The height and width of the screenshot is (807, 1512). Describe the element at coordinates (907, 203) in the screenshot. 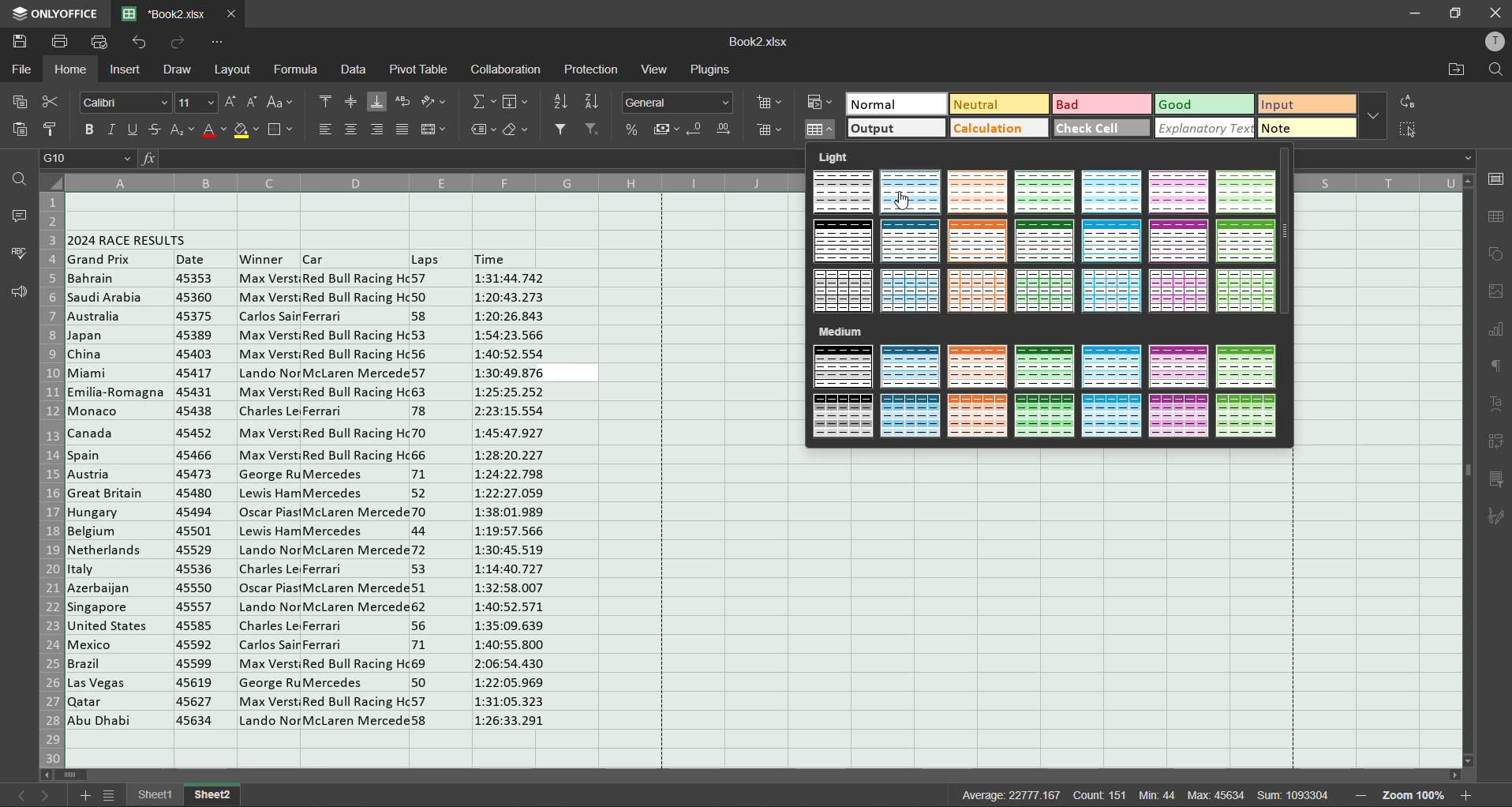

I see `cursor` at that location.